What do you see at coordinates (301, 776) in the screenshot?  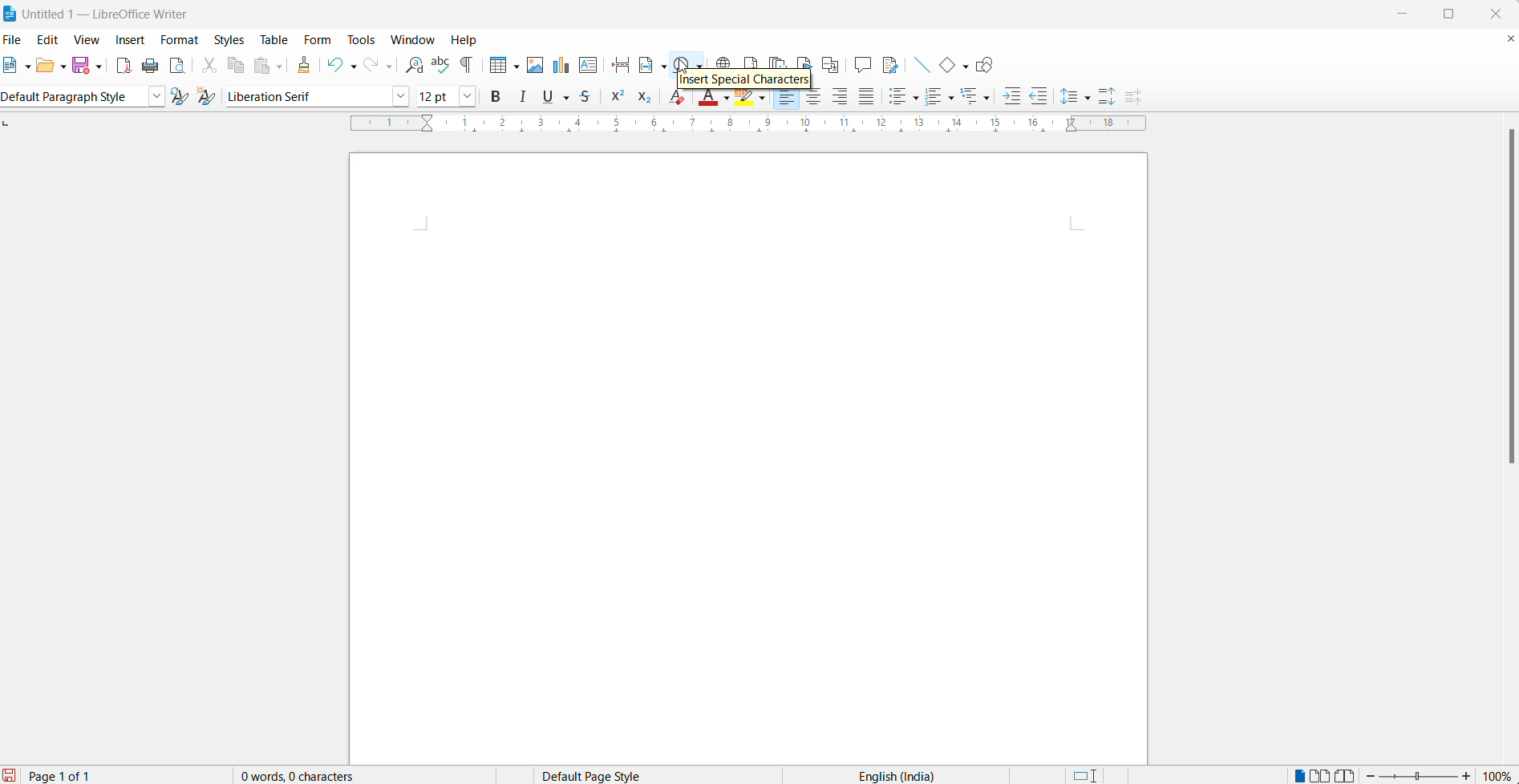 I see `word and character count` at bounding box center [301, 776].